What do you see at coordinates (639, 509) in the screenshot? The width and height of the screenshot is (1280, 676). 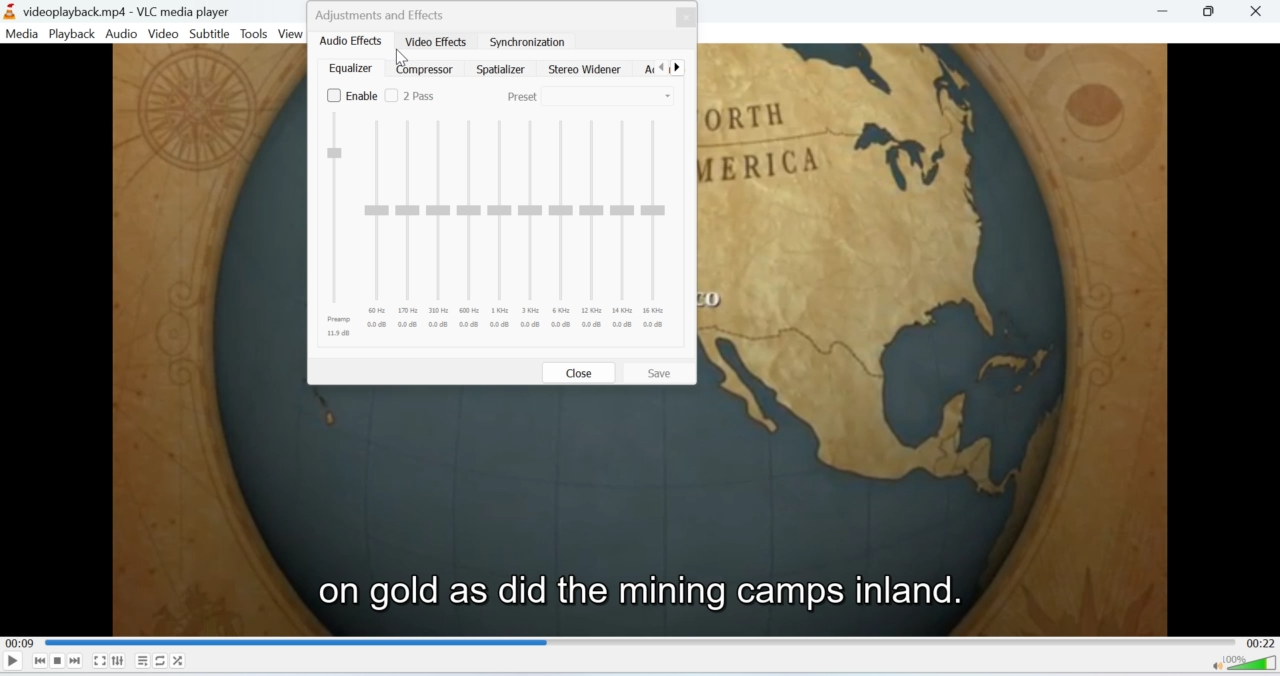 I see `video playback` at bounding box center [639, 509].